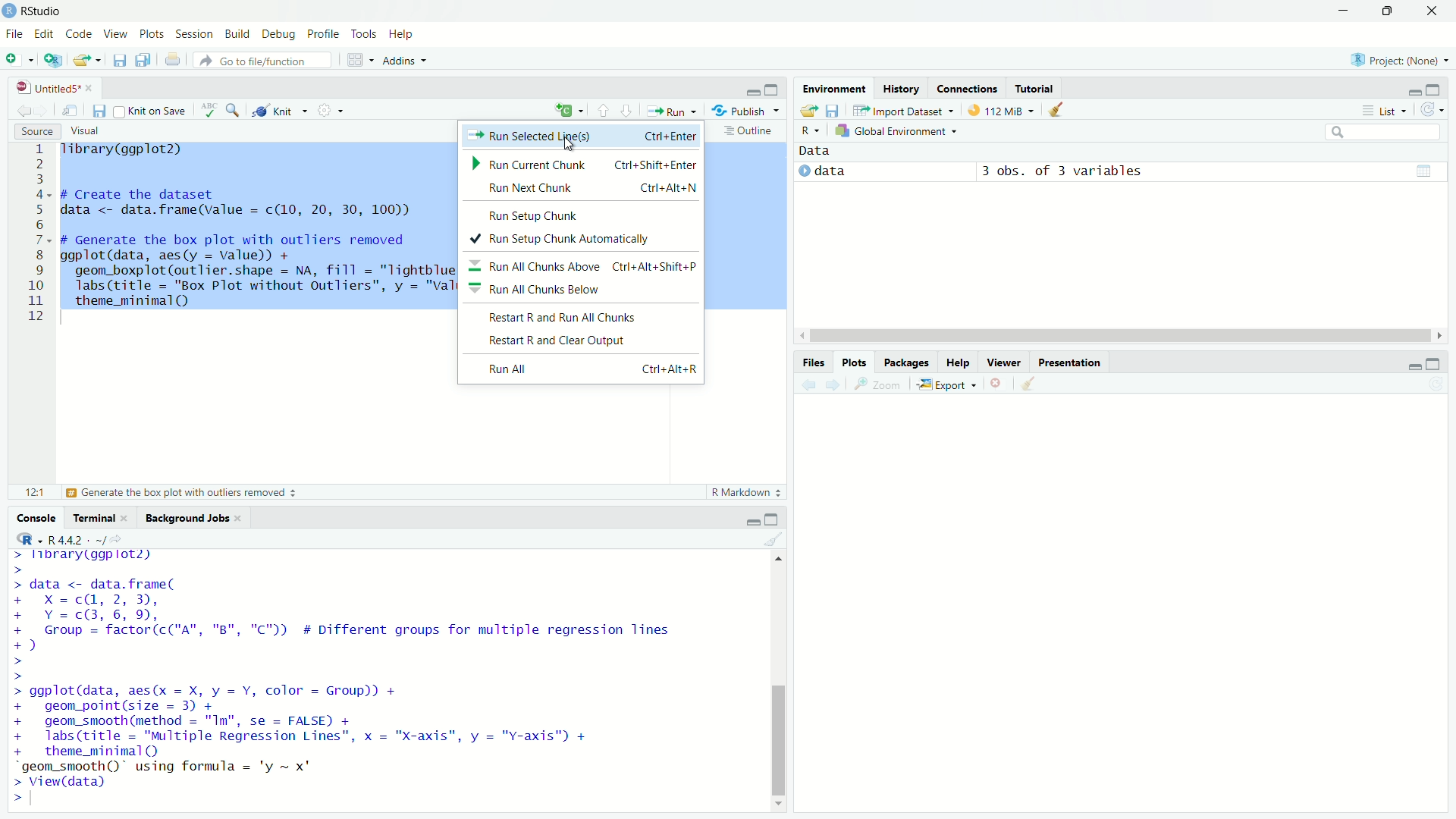 This screenshot has height=819, width=1456. I want to click on Run All Ctri+Alt+R, so click(582, 370).